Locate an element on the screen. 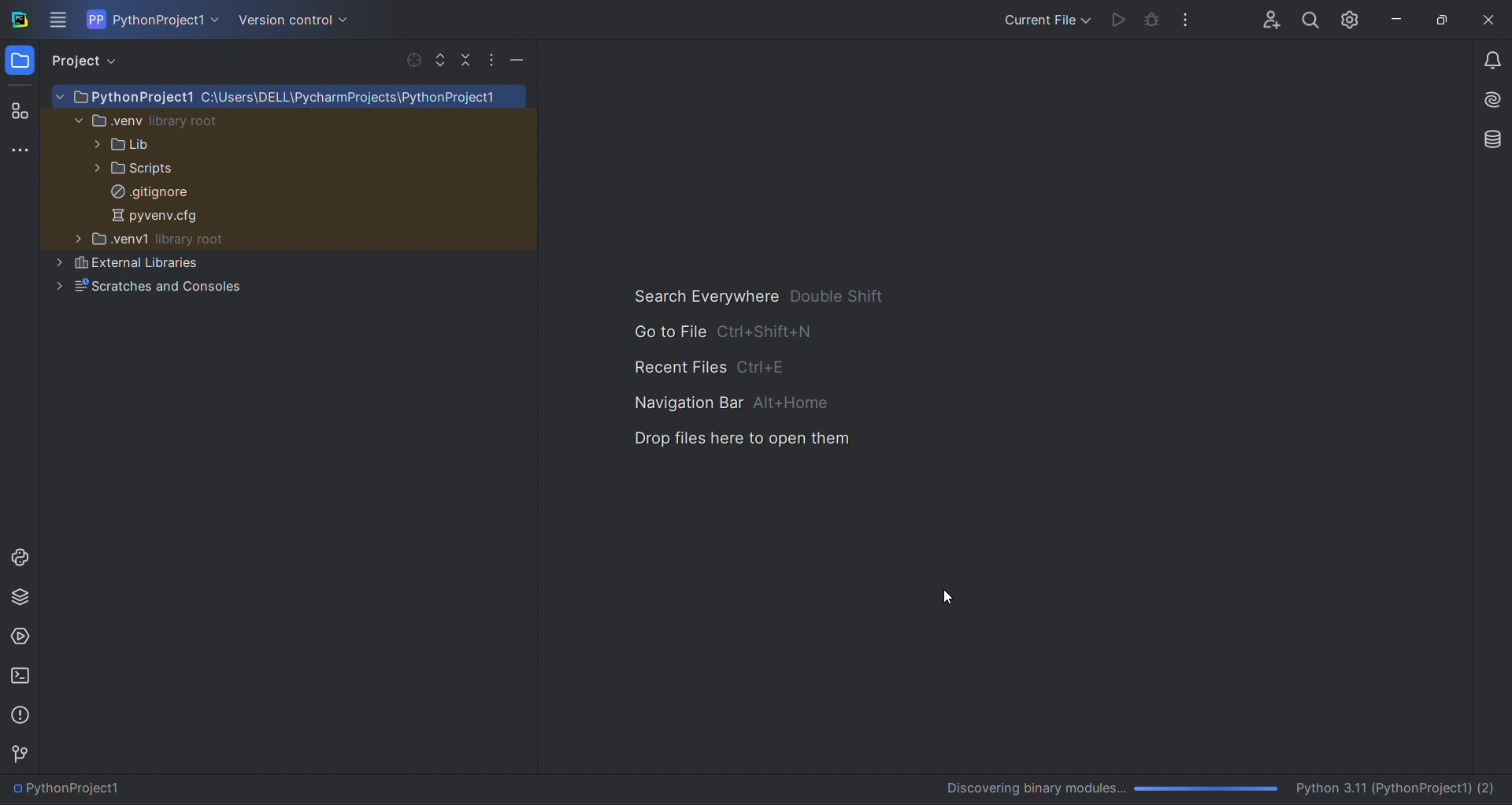  run is located at coordinates (1115, 20).